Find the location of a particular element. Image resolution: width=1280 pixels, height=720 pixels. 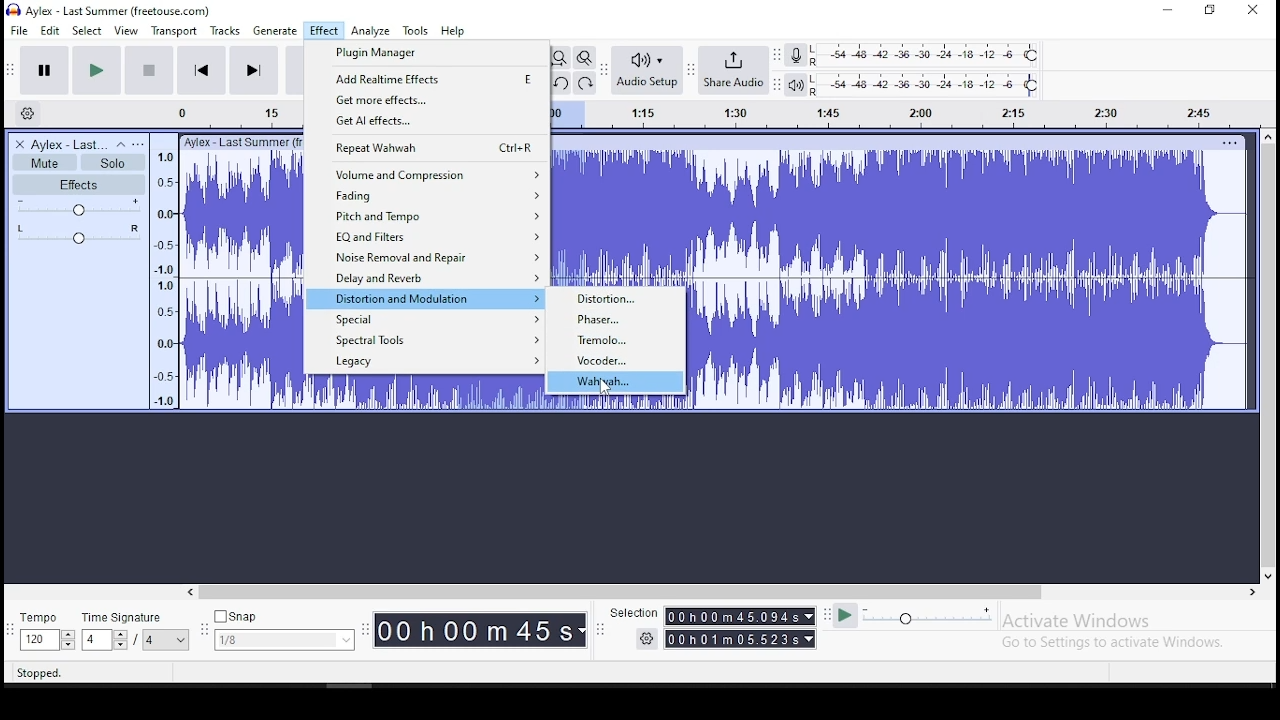

skip to start is located at coordinates (201, 71).